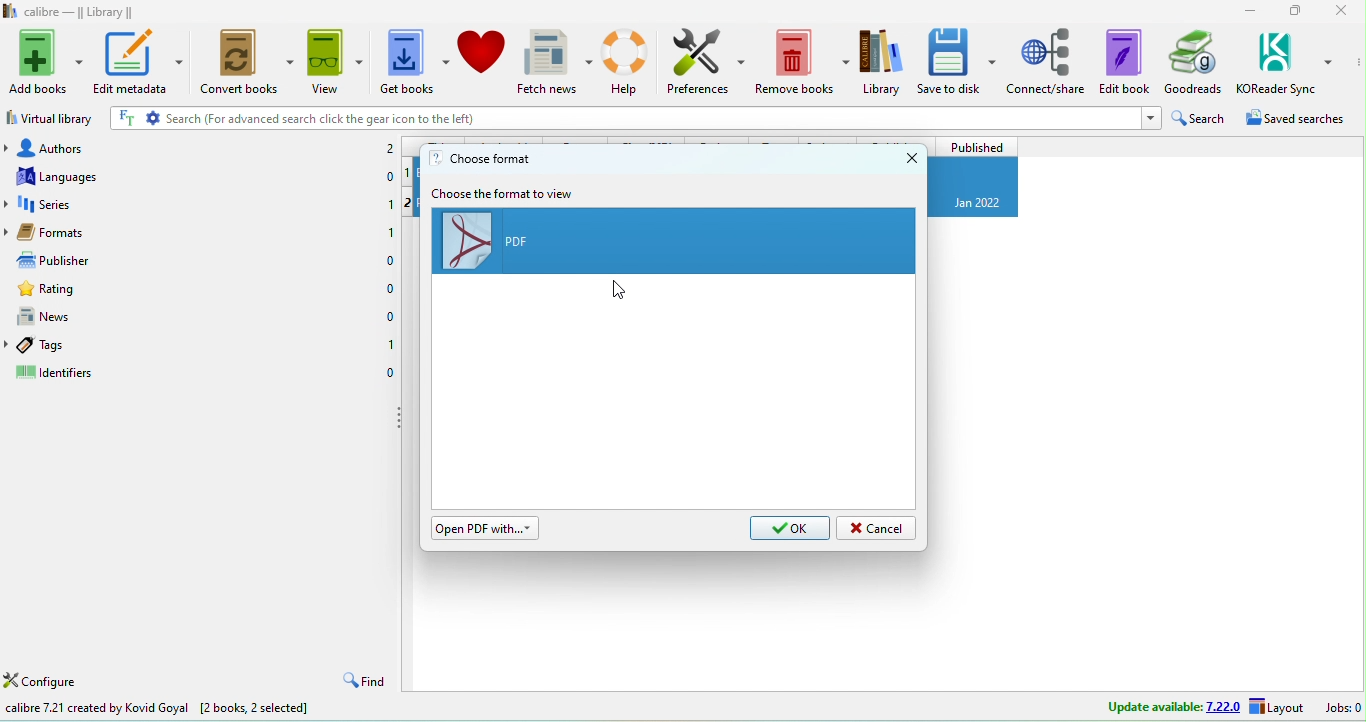 This screenshot has width=1366, height=722. I want to click on minimize, so click(1248, 11).